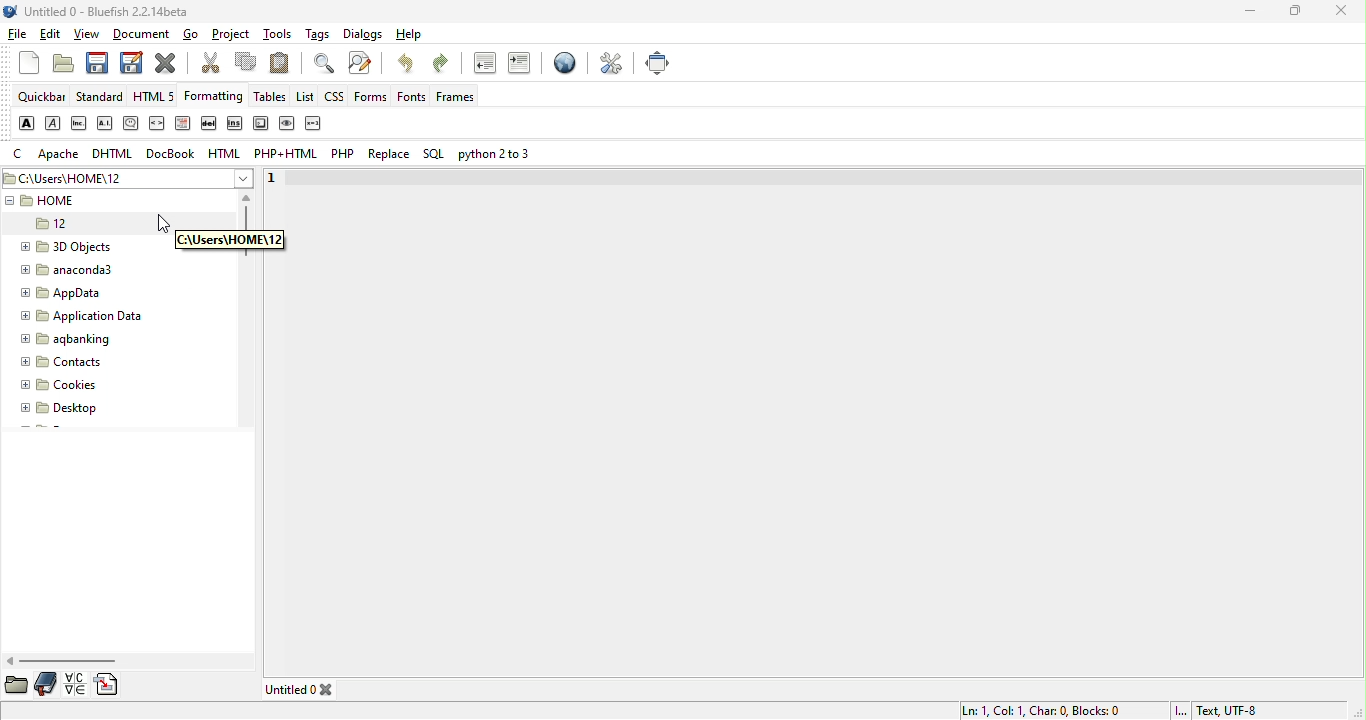 The width and height of the screenshot is (1366, 720). What do you see at coordinates (75, 684) in the screenshot?
I see `charmap` at bounding box center [75, 684].